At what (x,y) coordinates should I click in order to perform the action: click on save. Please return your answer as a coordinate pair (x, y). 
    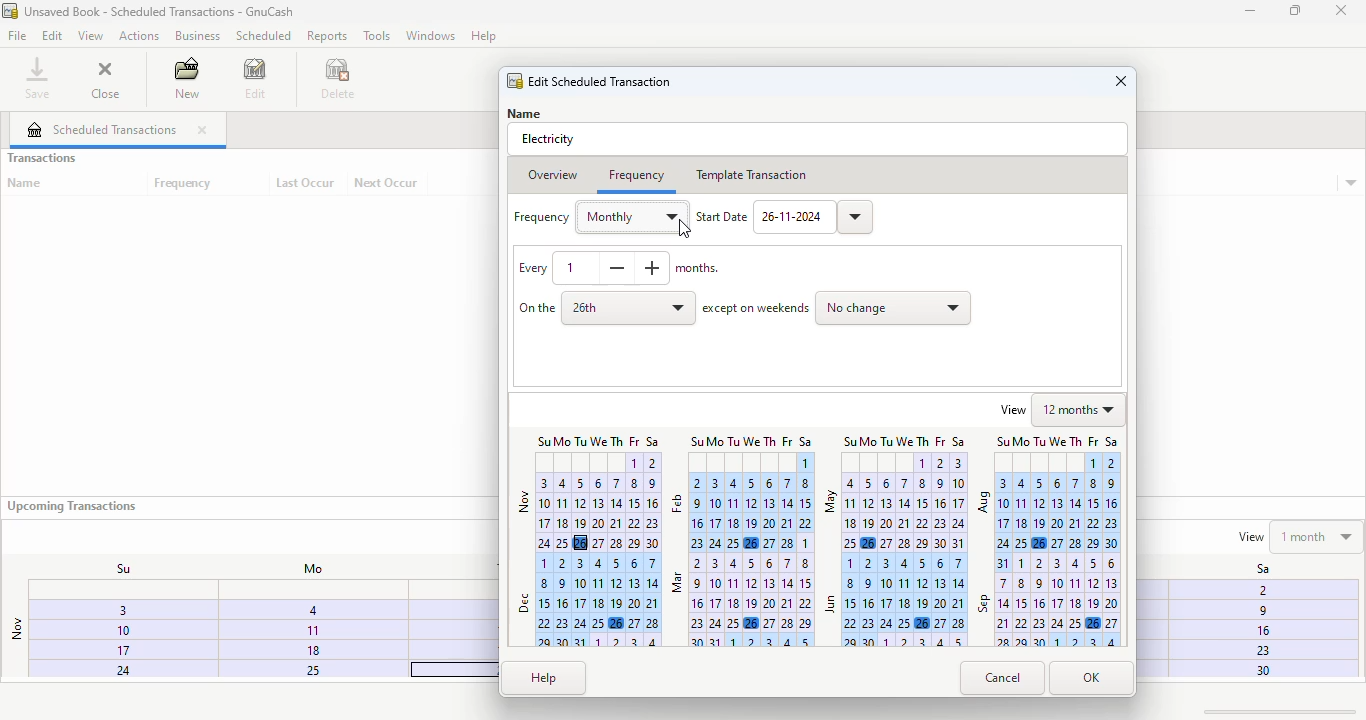
    Looking at the image, I should click on (38, 77).